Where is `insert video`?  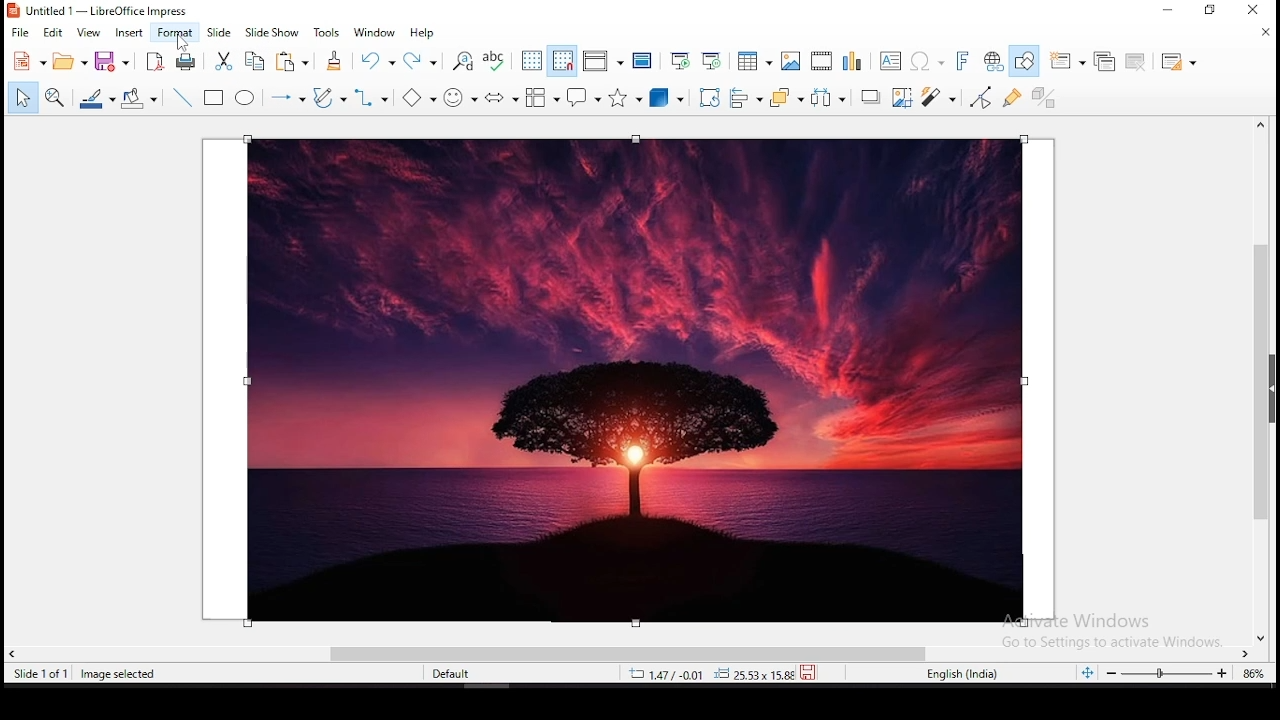
insert video is located at coordinates (821, 62).